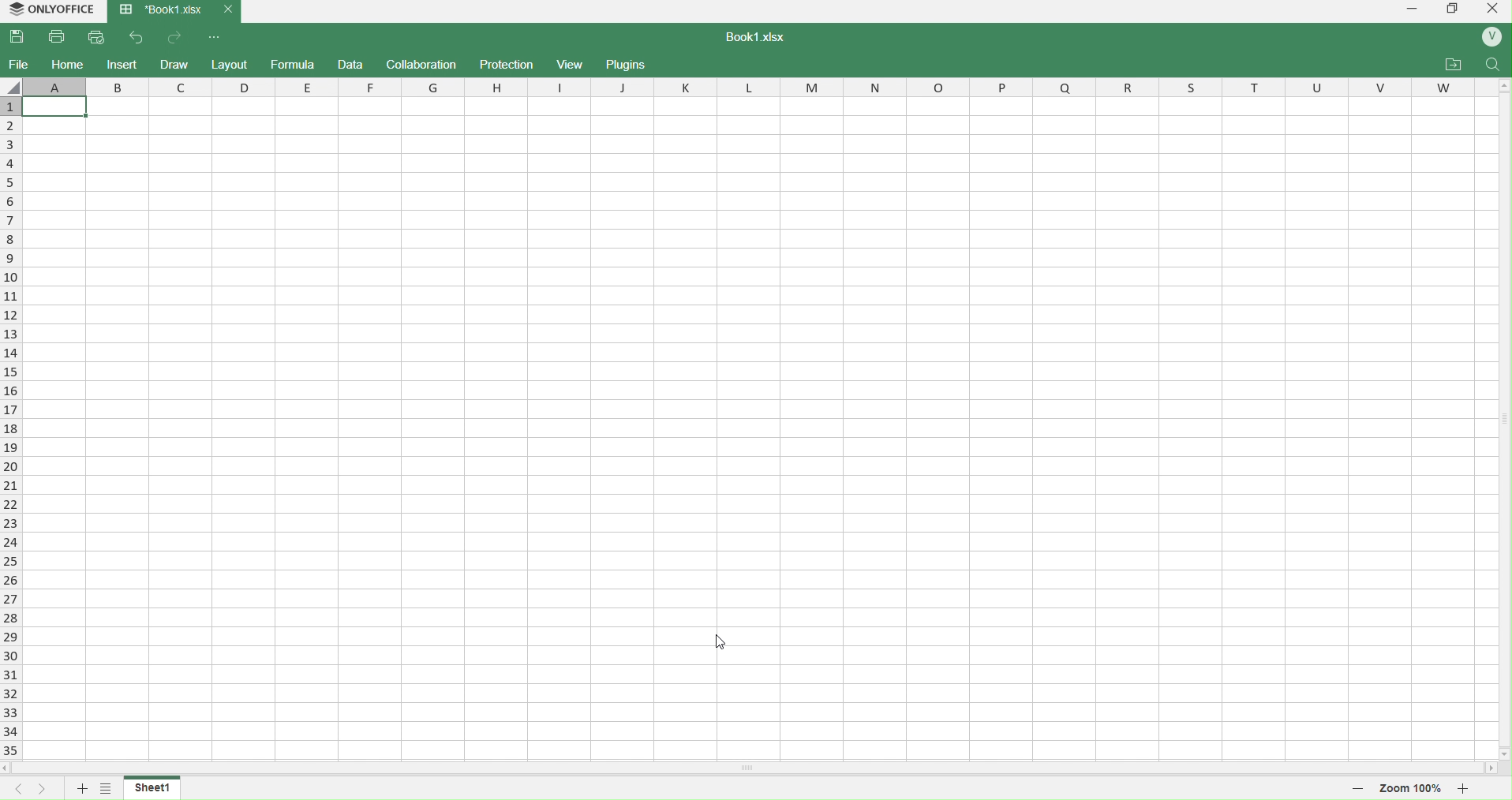  What do you see at coordinates (177, 37) in the screenshot?
I see `forward` at bounding box center [177, 37].